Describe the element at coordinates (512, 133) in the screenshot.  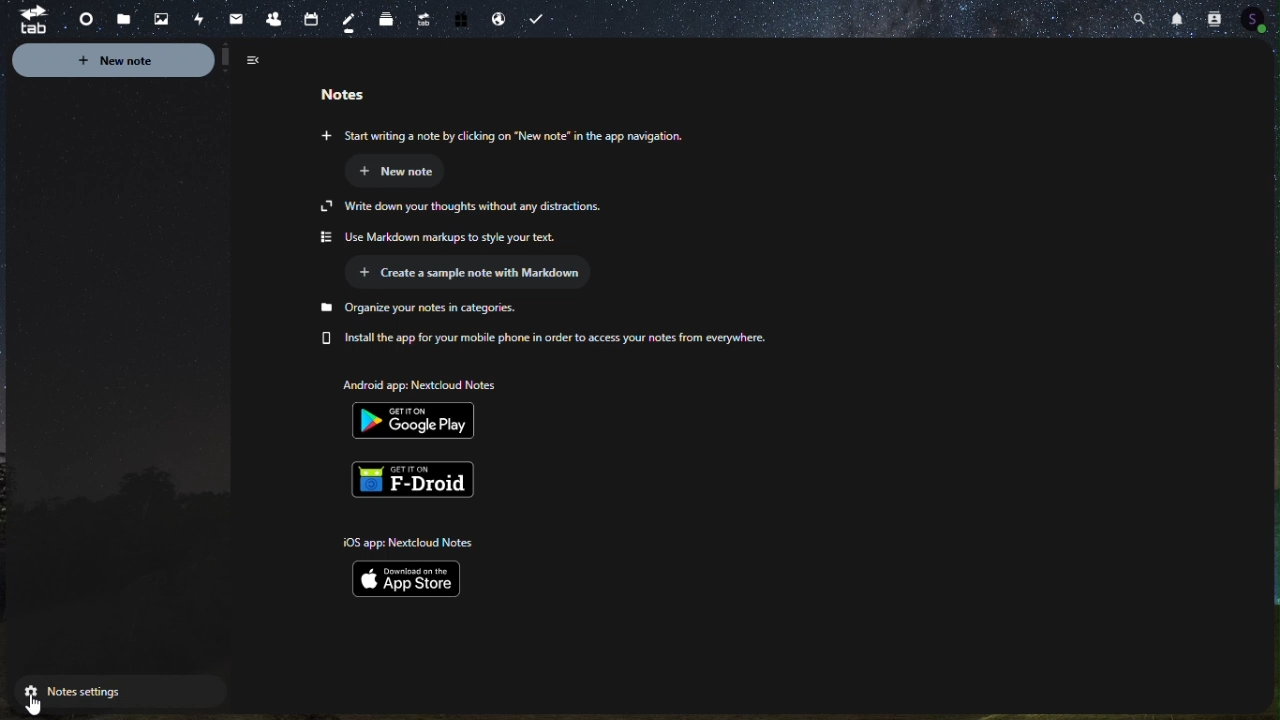
I see `start writing on Note` at that location.